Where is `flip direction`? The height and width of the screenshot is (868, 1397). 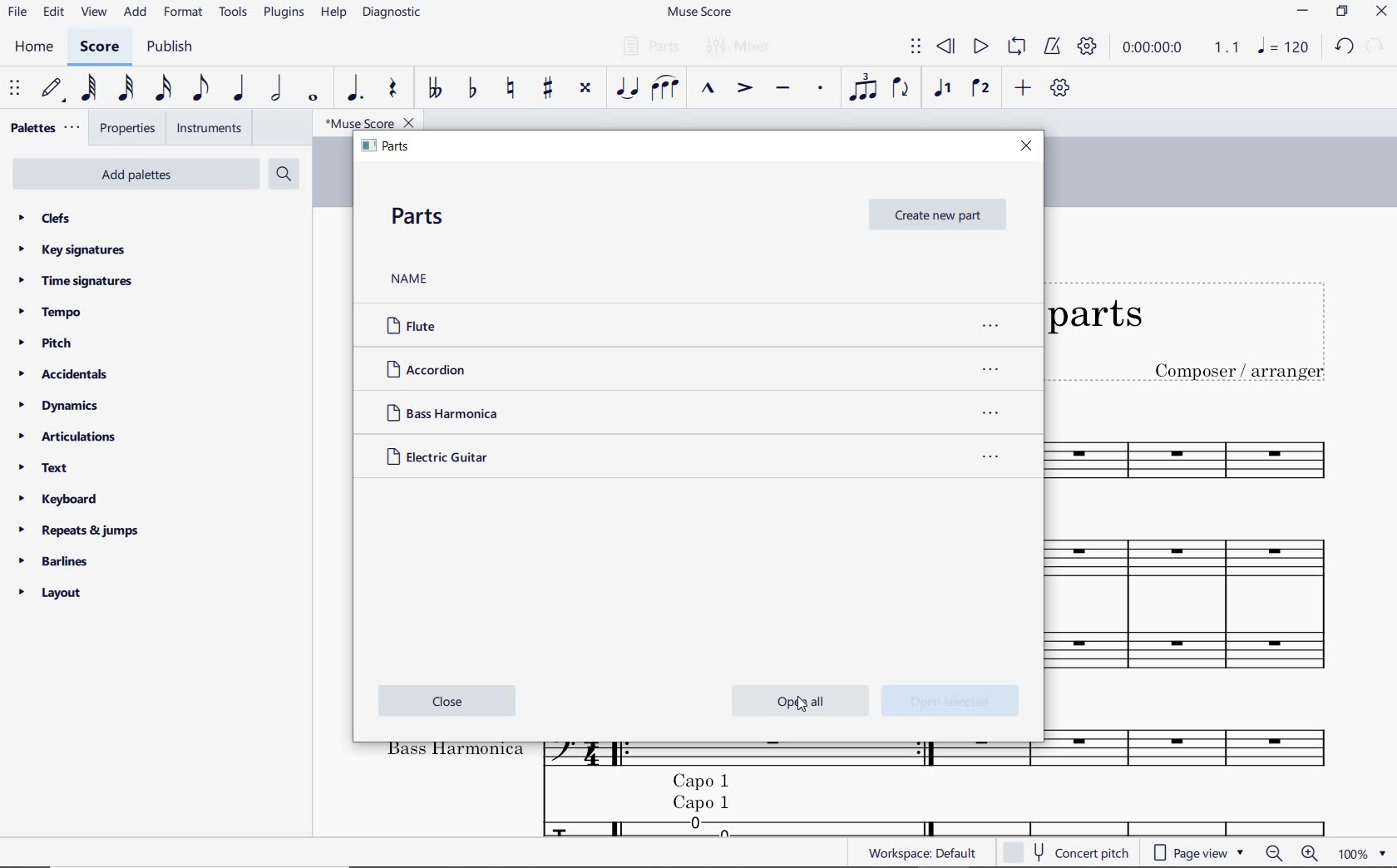 flip direction is located at coordinates (902, 91).